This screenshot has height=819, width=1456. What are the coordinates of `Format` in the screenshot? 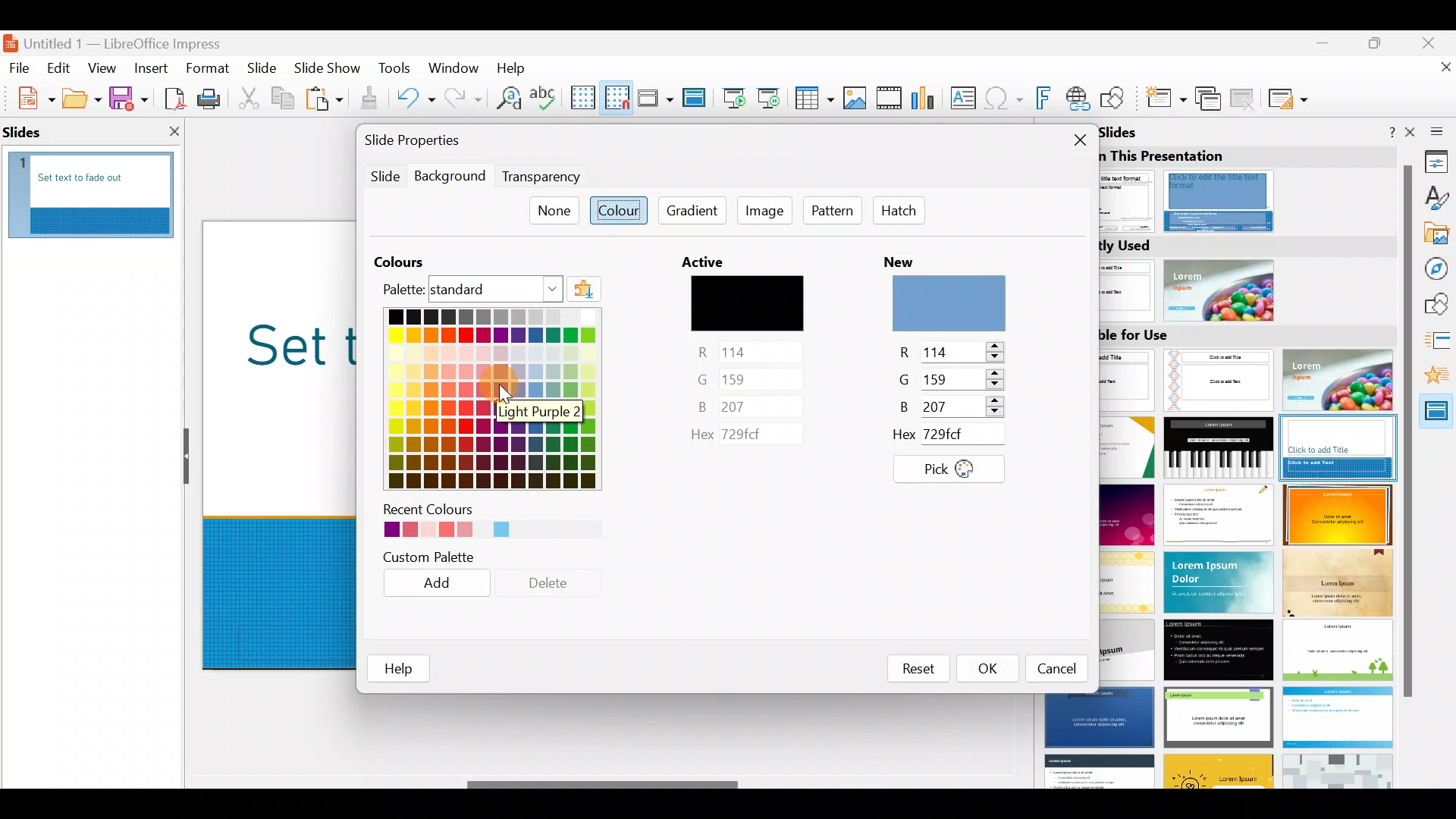 It's located at (206, 67).